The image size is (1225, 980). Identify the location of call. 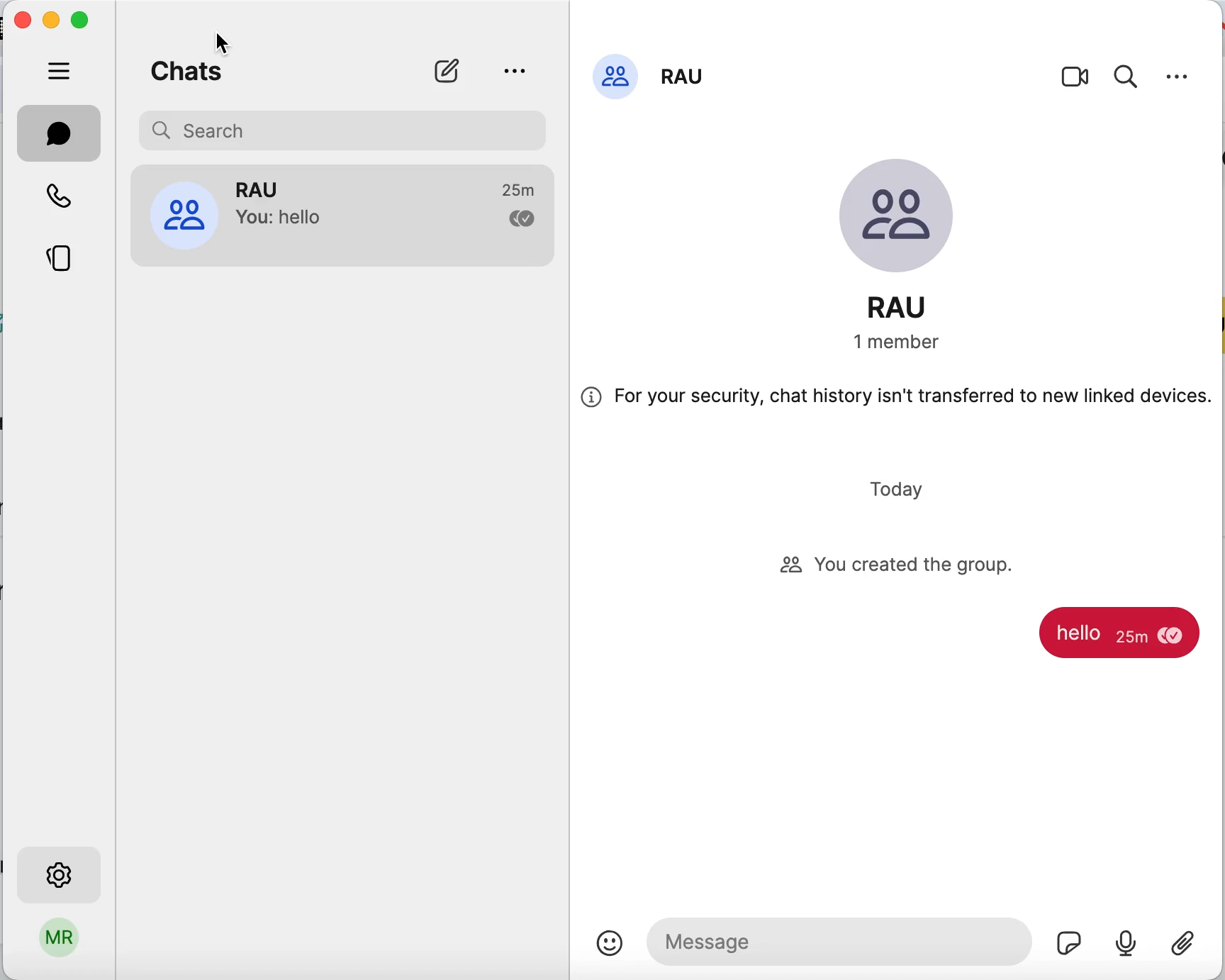
(60, 194).